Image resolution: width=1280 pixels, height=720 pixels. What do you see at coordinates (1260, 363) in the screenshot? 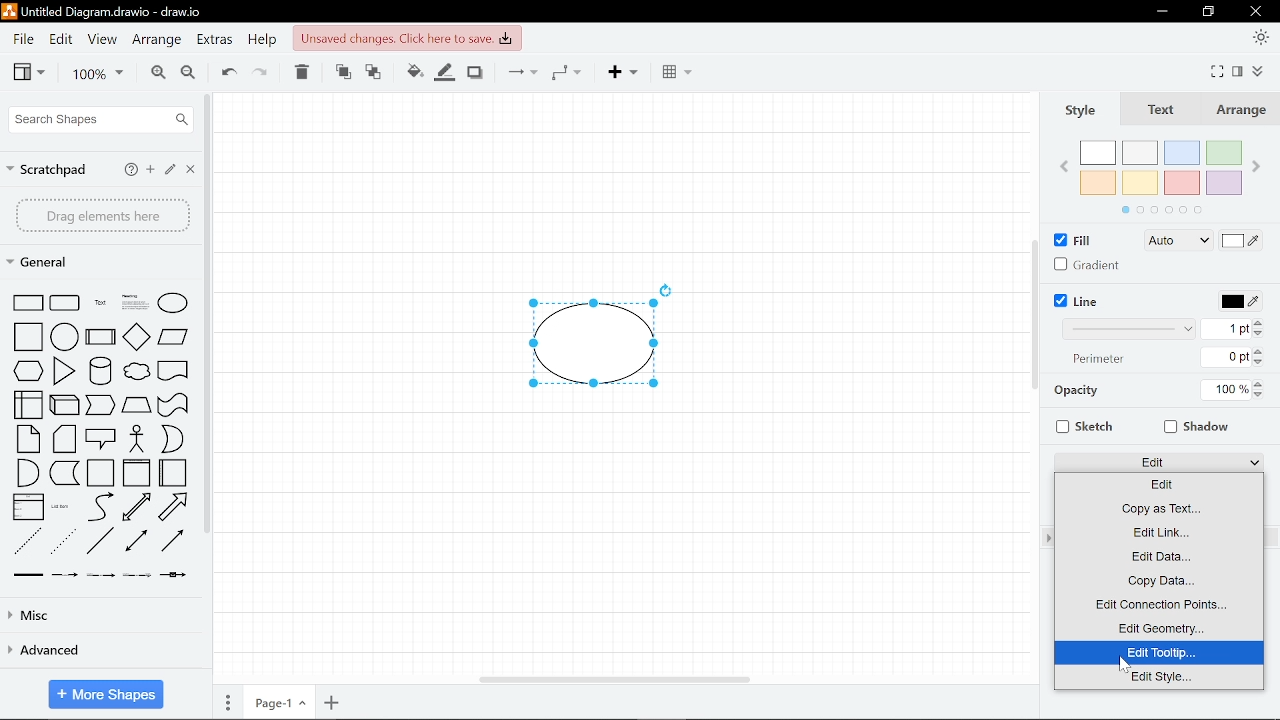
I see `Decrease perimeter` at bounding box center [1260, 363].